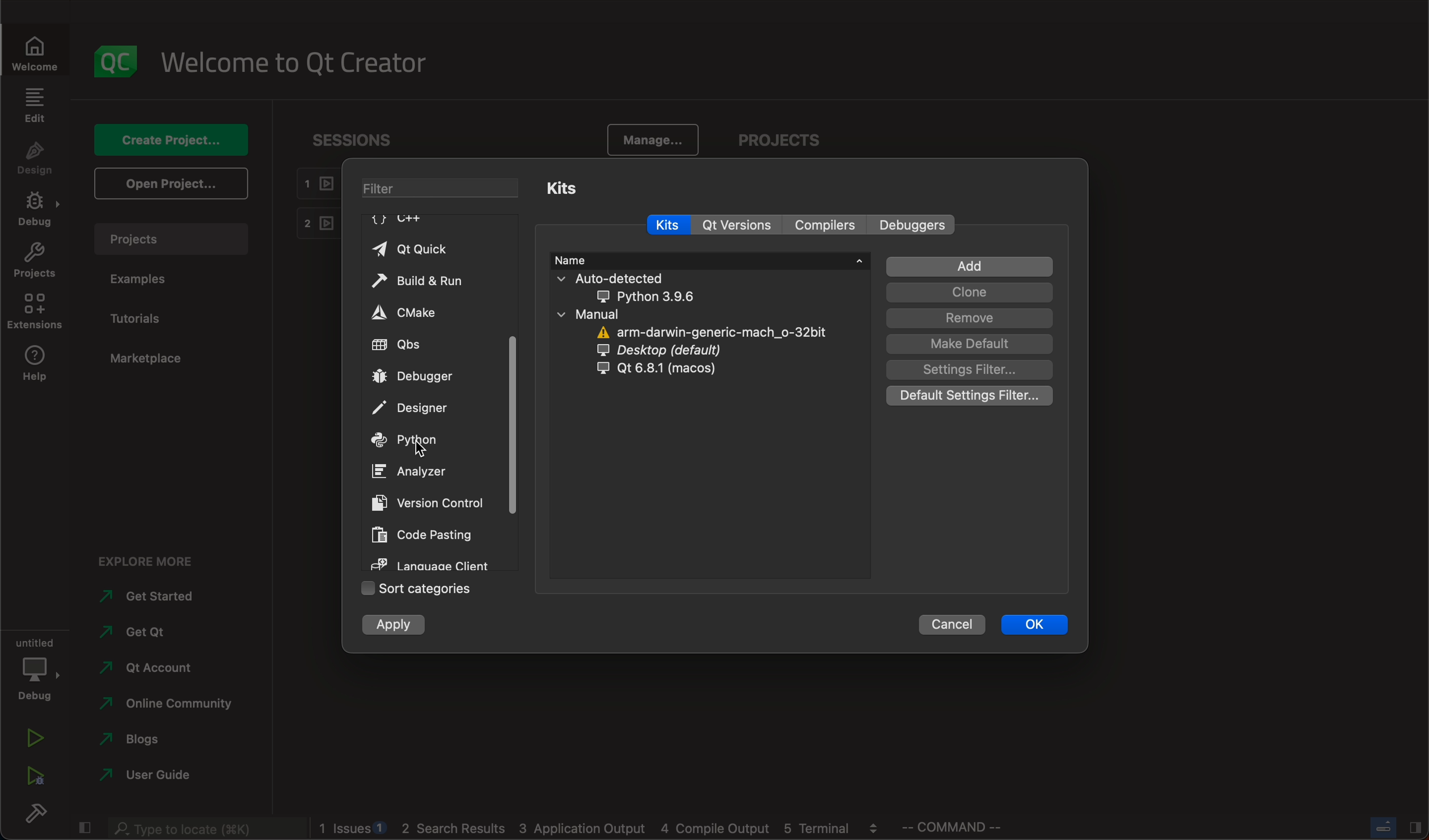  Describe the element at coordinates (145, 630) in the screenshot. I see `qt` at that location.